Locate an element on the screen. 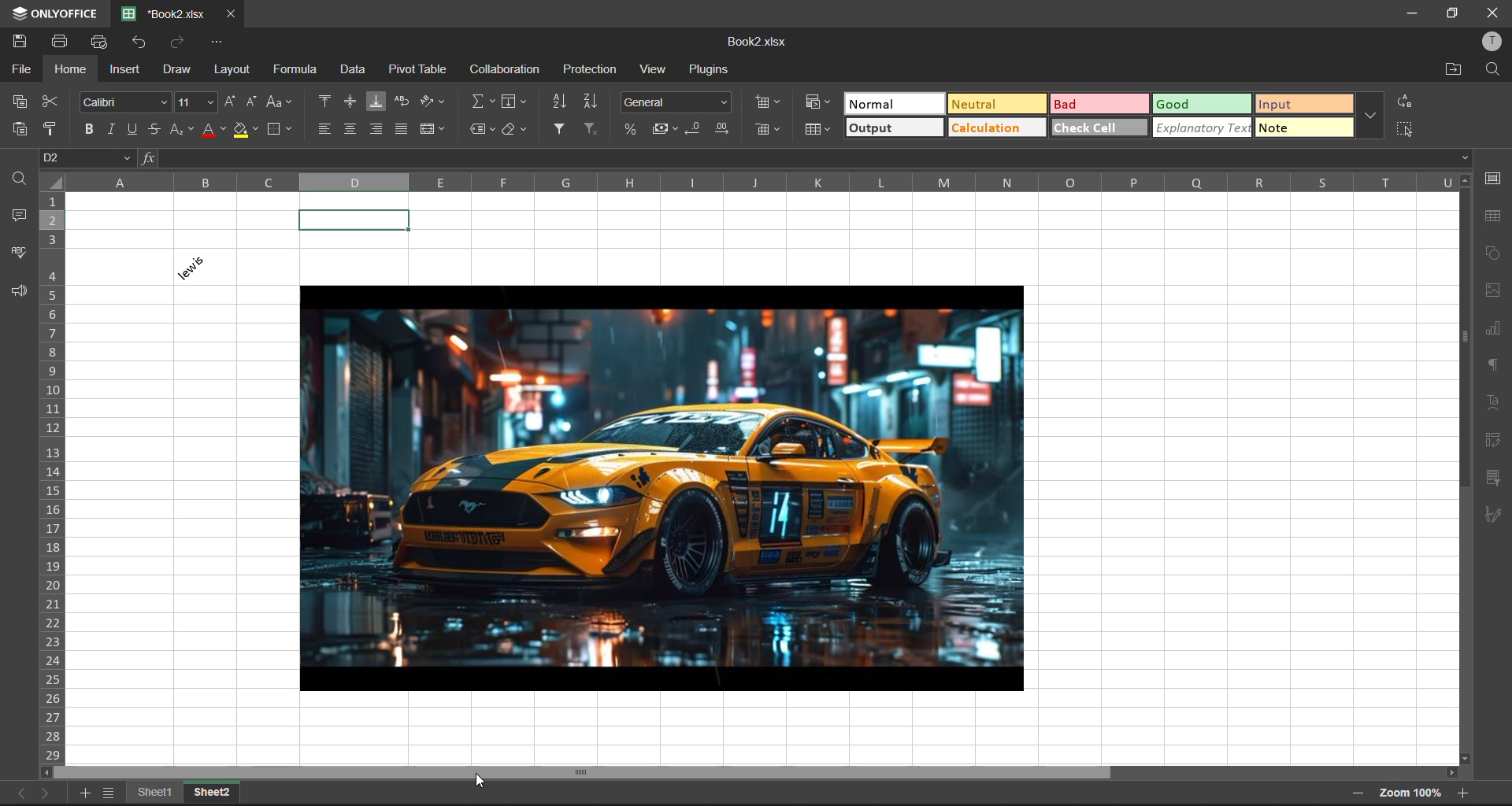  cursor is located at coordinates (476, 782).